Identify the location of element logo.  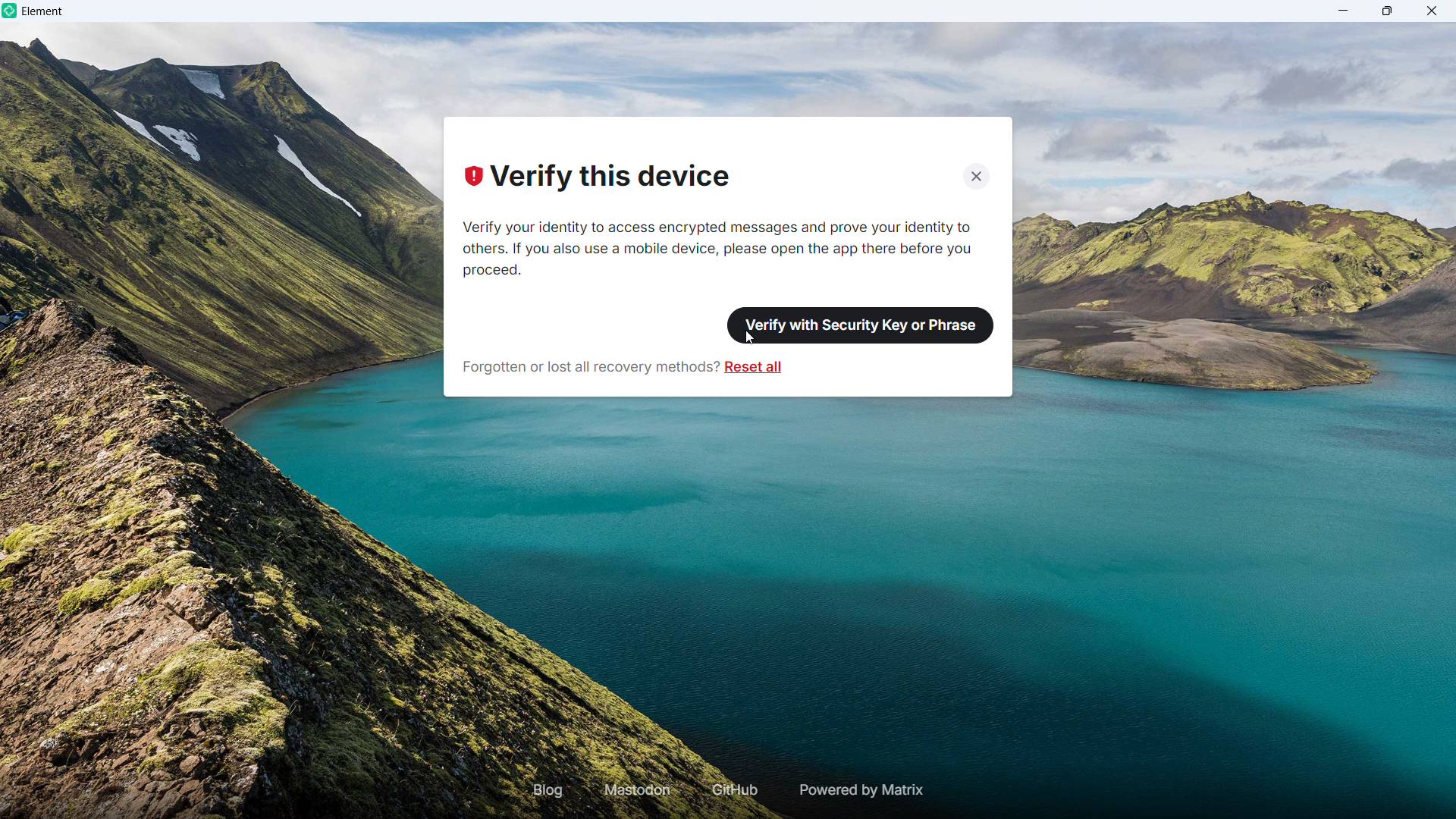
(11, 11).